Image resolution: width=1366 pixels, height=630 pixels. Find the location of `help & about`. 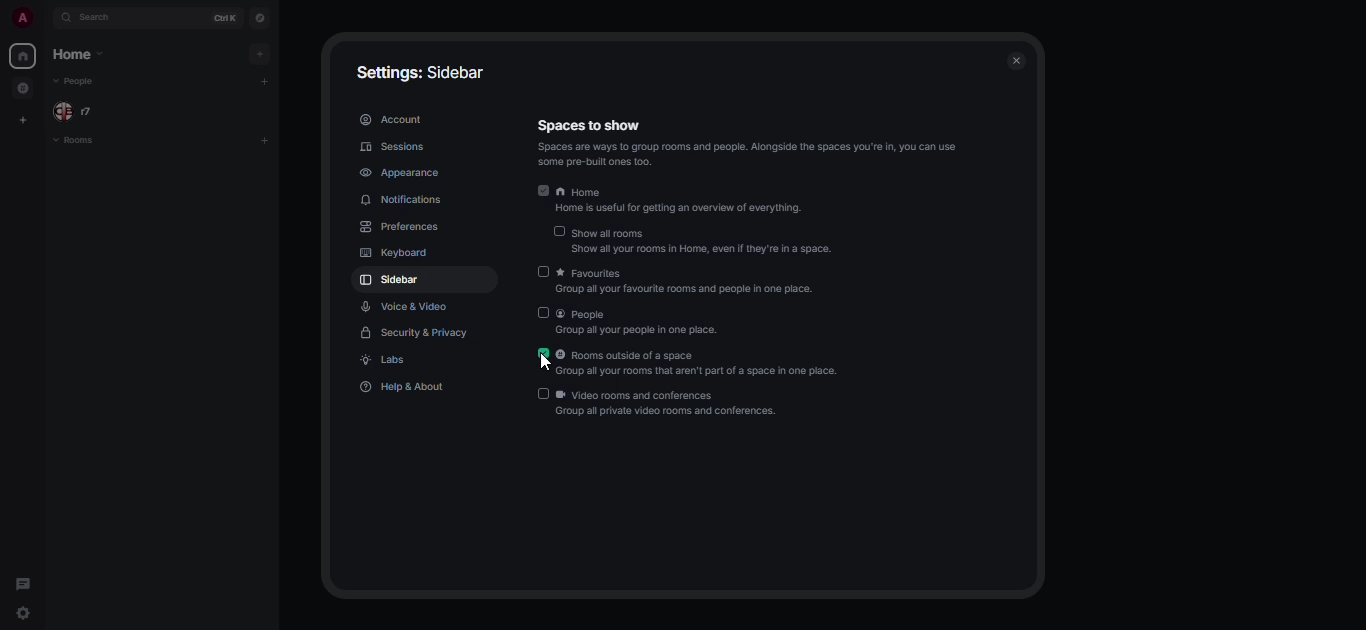

help & about is located at coordinates (406, 389).